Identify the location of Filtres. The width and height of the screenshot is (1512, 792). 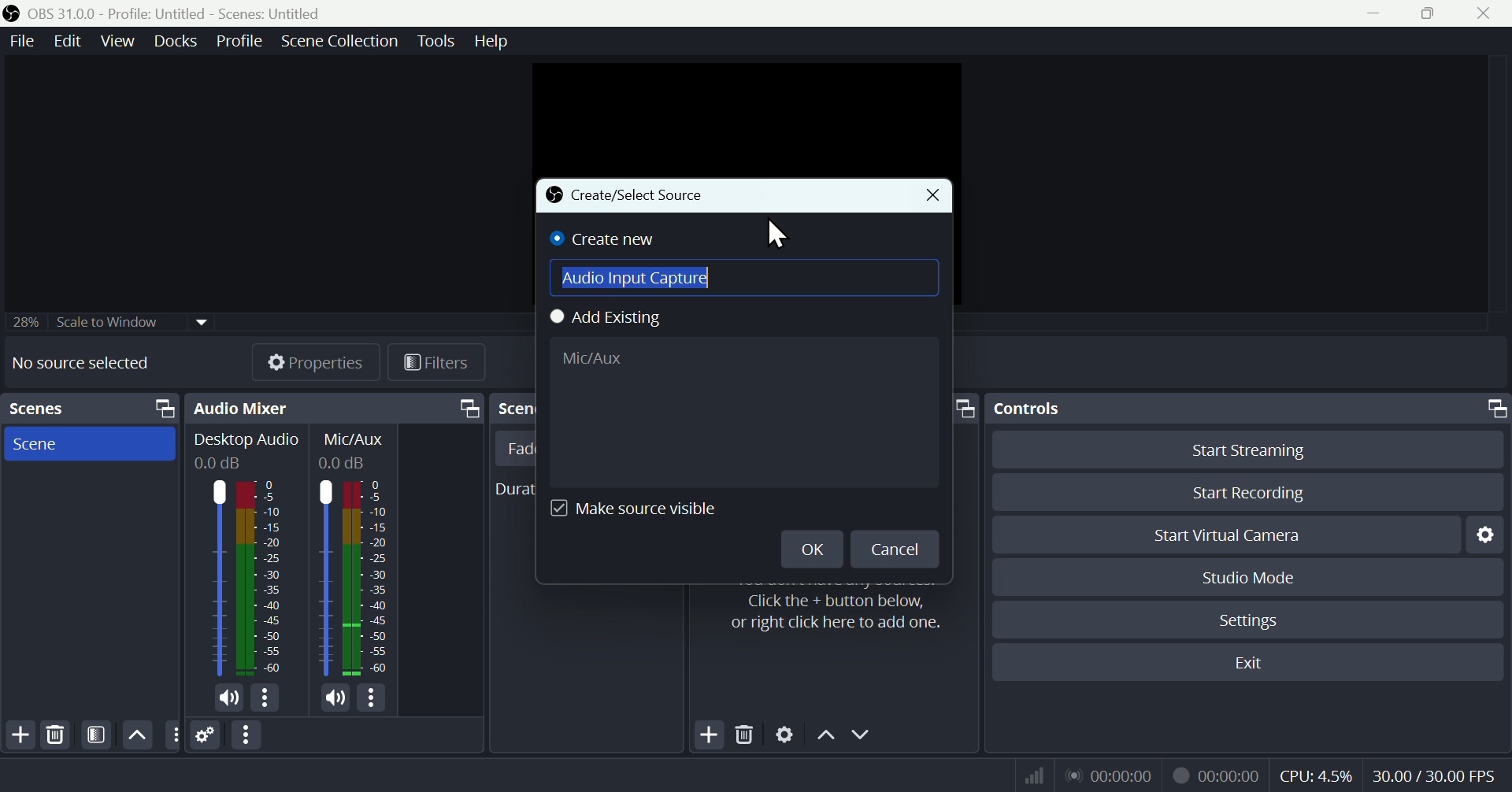
(437, 365).